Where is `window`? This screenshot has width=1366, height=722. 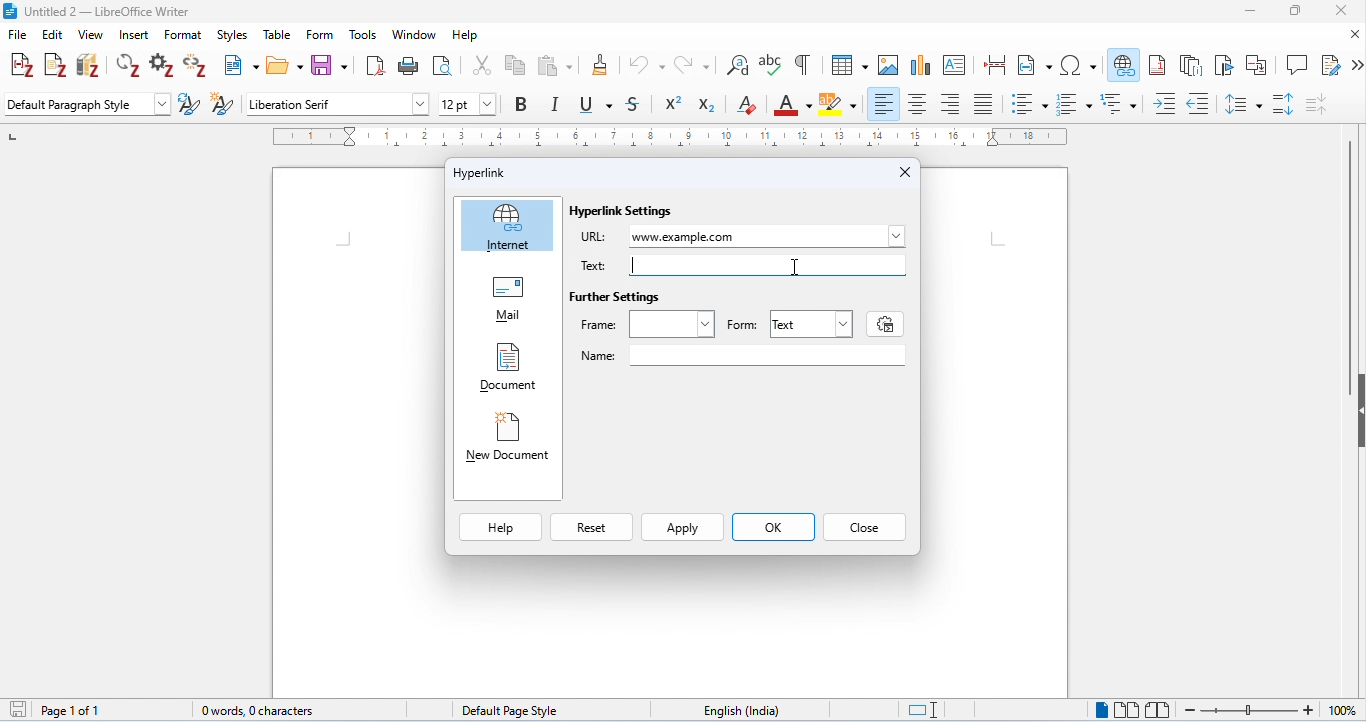
window is located at coordinates (414, 35).